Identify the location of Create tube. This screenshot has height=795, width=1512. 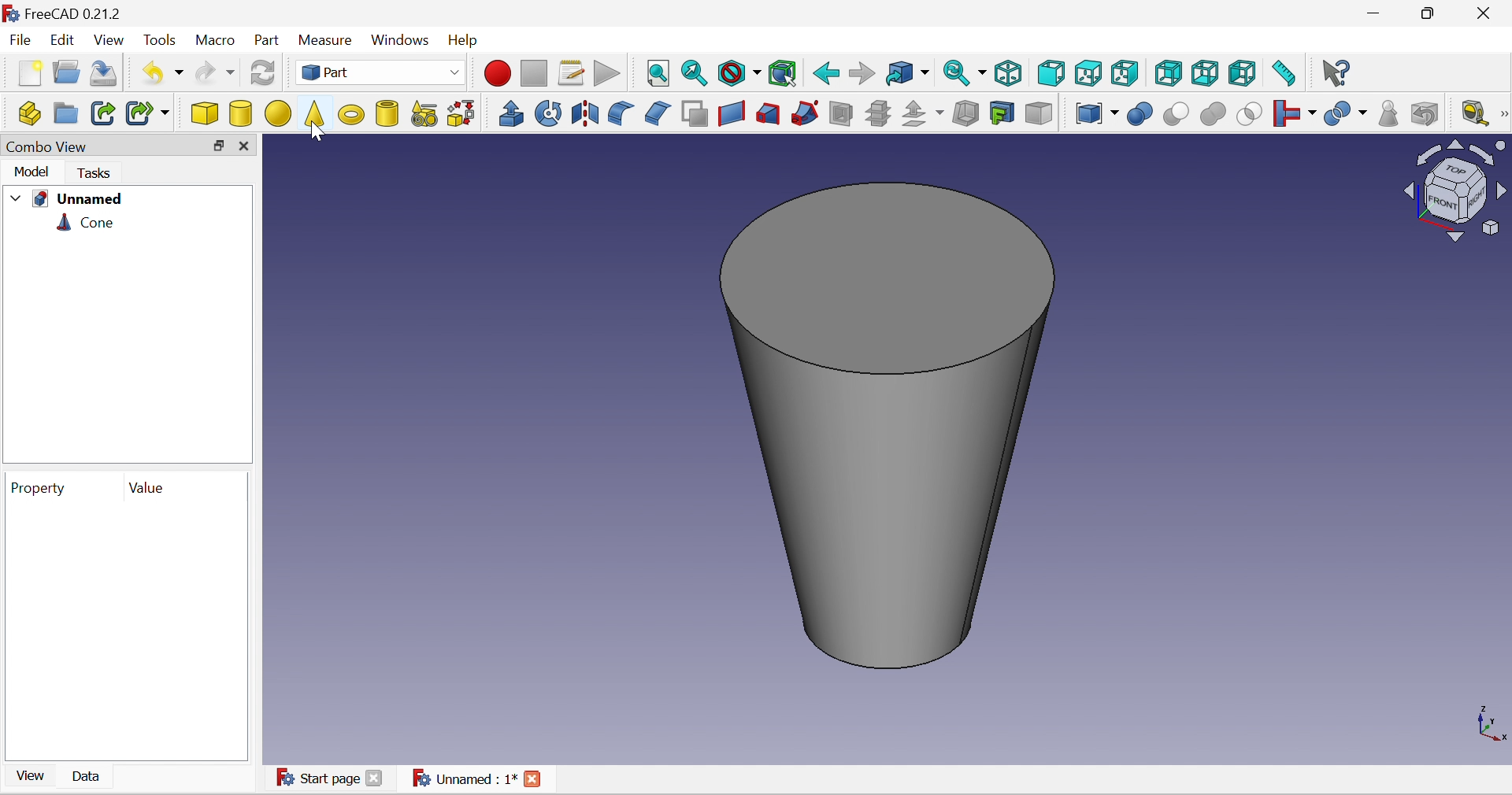
(388, 114).